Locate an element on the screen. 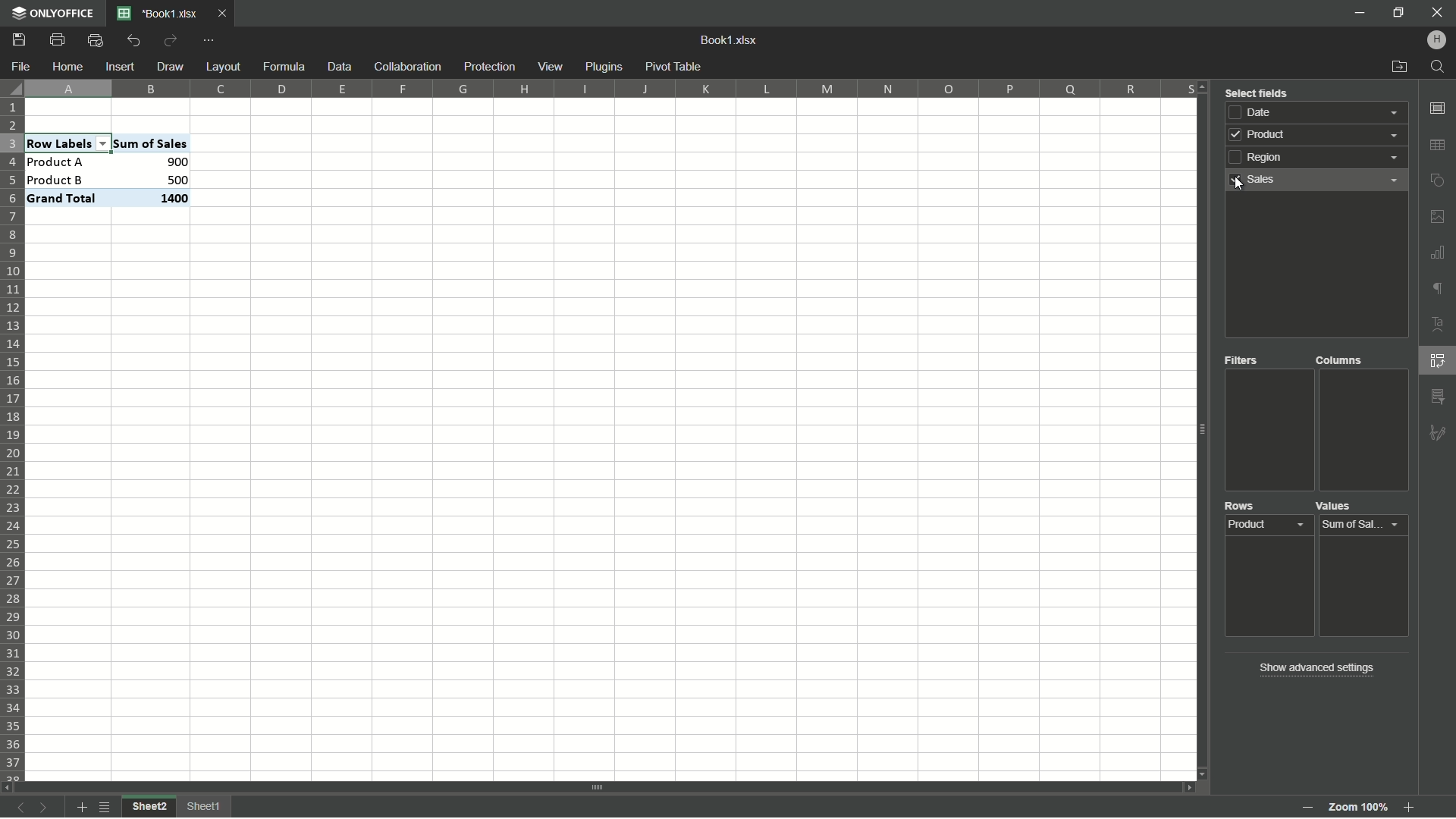 The height and width of the screenshot is (819, 1456). insert table is located at coordinates (1439, 146).